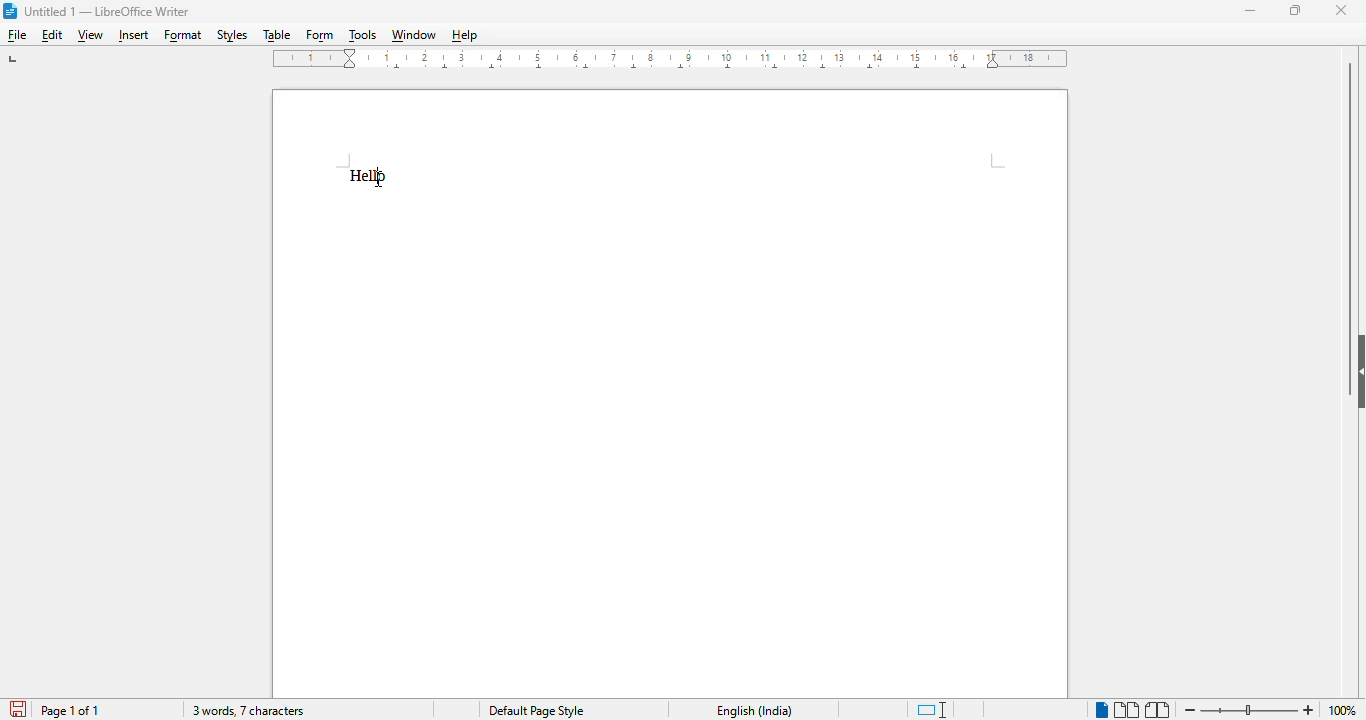 The width and height of the screenshot is (1366, 720). What do you see at coordinates (233, 35) in the screenshot?
I see `styles` at bounding box center [233, 35].